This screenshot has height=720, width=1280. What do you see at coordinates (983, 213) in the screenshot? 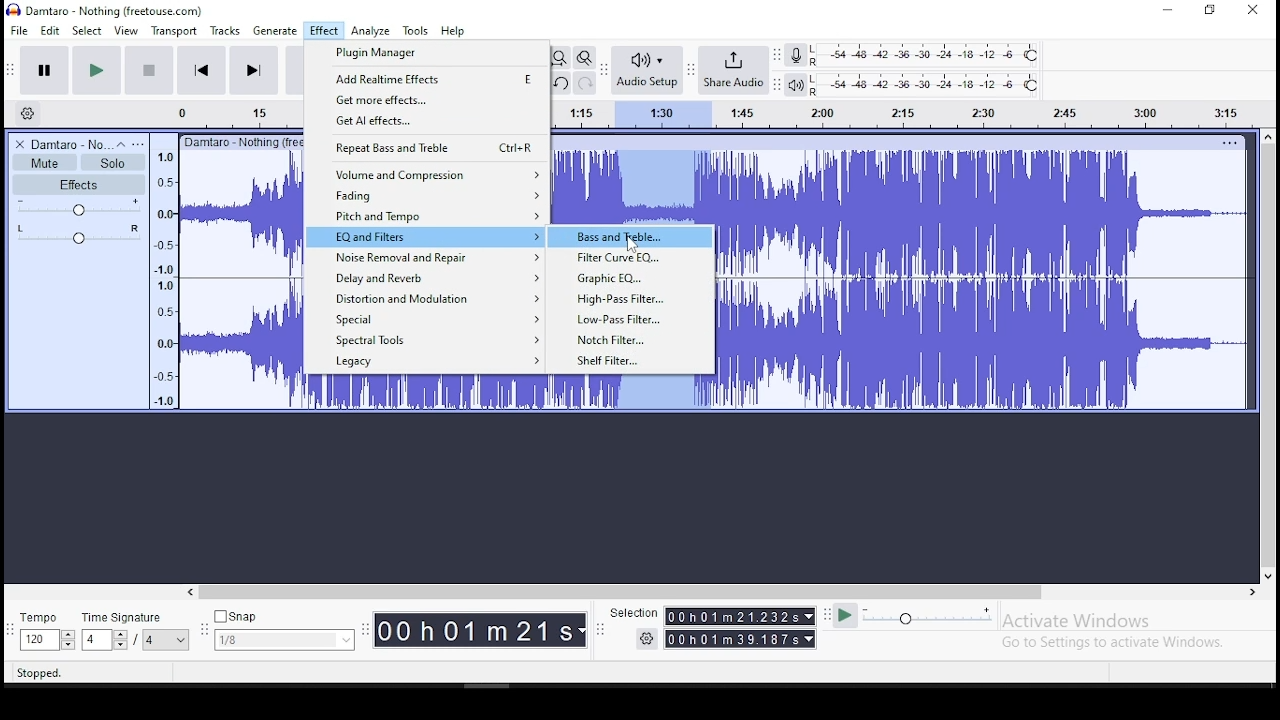
I see `audio track` at bounding box center [983, 213].